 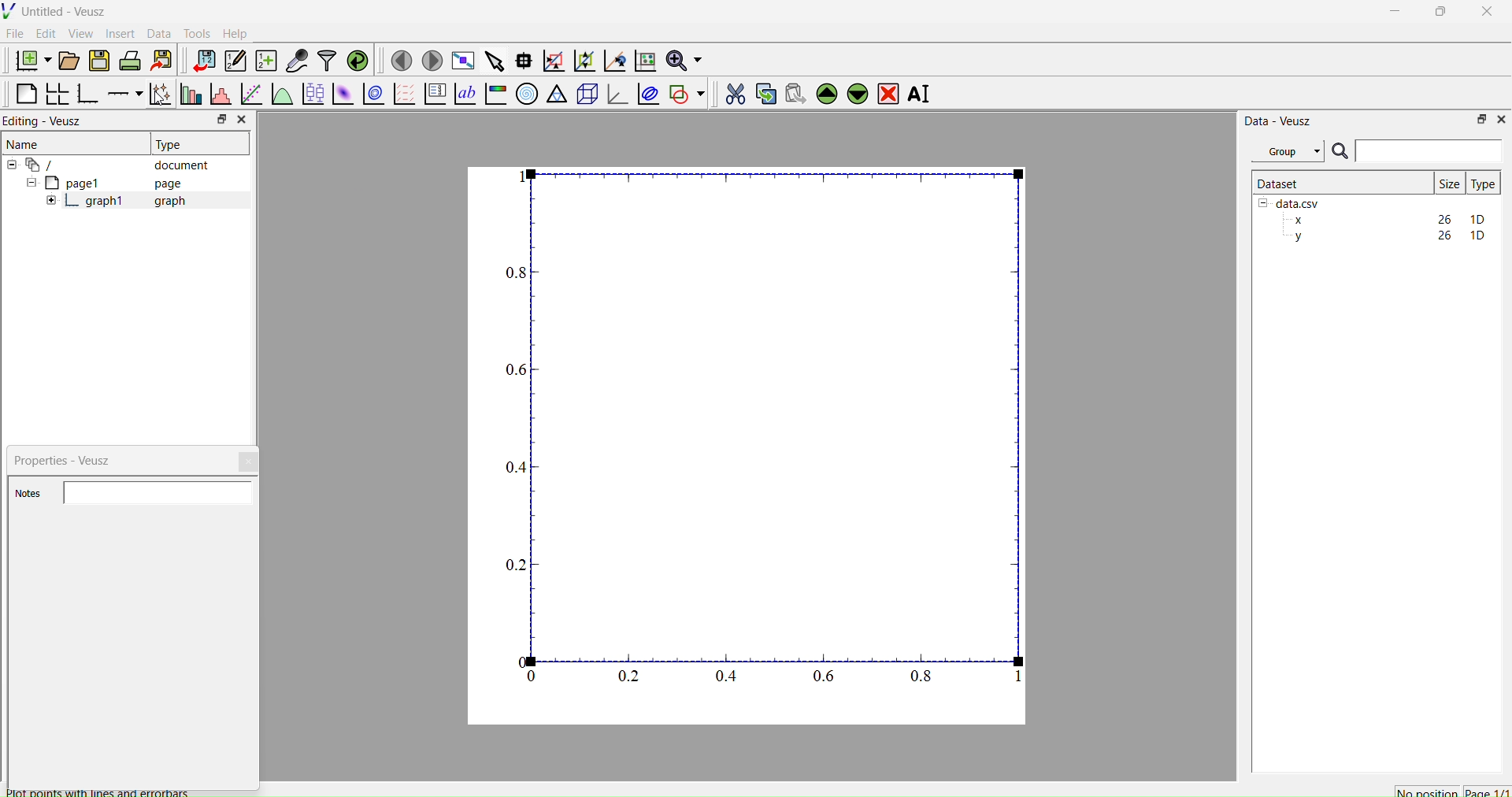 I want to click on Properties - Veusz, so click(x=66, y=461).